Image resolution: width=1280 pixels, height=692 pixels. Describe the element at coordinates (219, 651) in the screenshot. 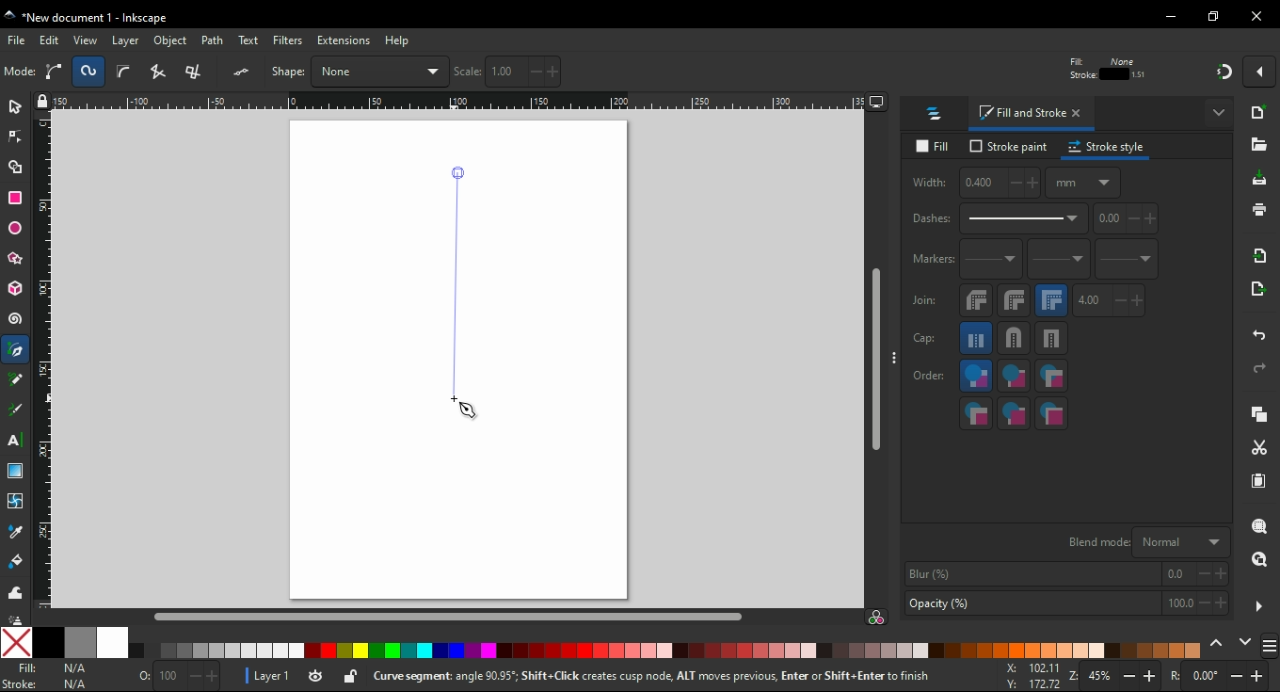

I see `color tone pallete` at that location.